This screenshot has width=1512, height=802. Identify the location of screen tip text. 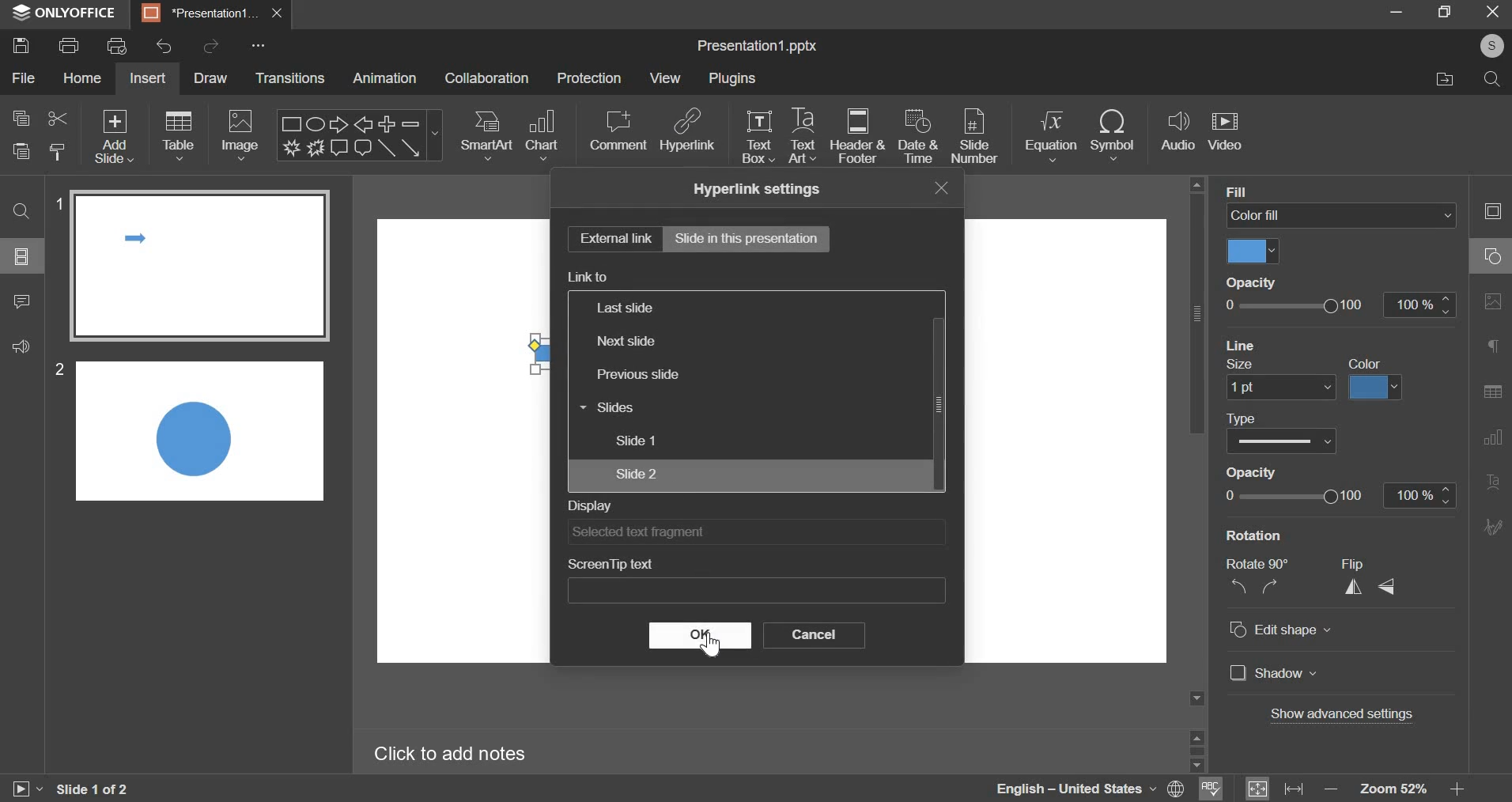
(610, 566).